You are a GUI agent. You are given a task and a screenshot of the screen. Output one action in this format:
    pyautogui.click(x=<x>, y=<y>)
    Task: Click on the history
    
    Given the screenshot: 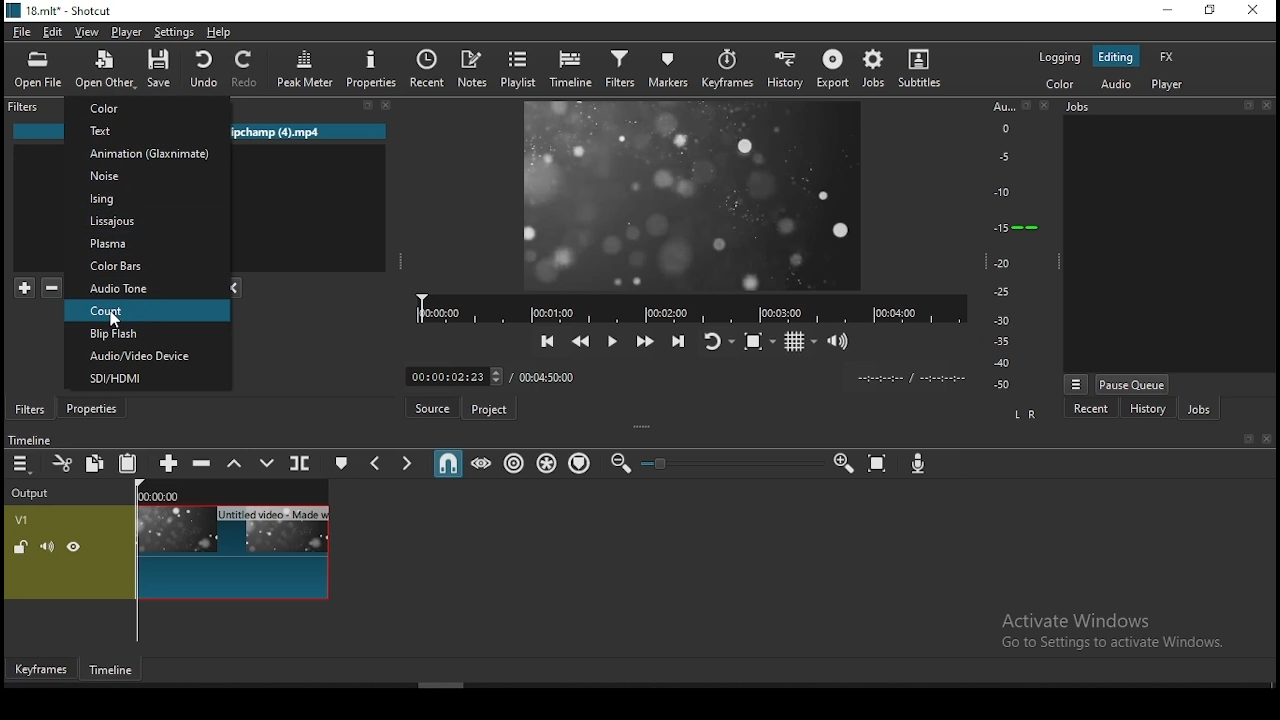 What is the action you would take?
    pyautogui.click(x=1147, y=410)
    